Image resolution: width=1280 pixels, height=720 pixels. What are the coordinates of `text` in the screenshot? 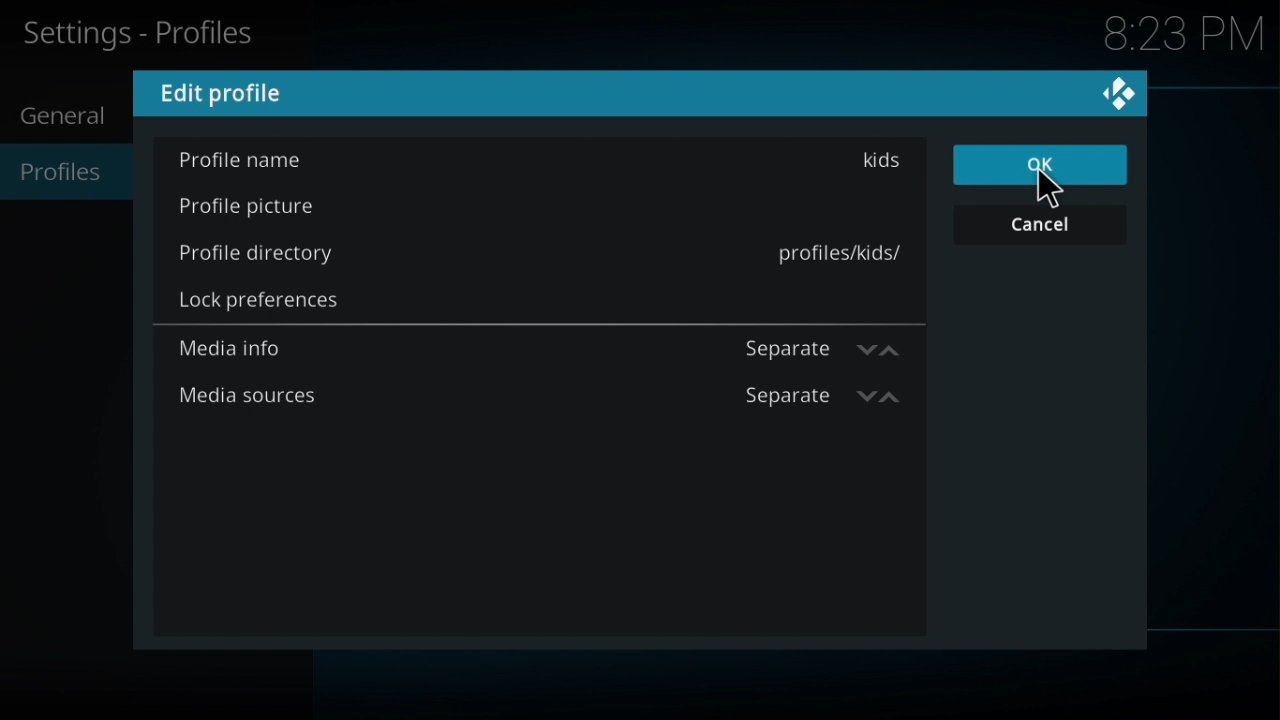 It's located at (823, 250).